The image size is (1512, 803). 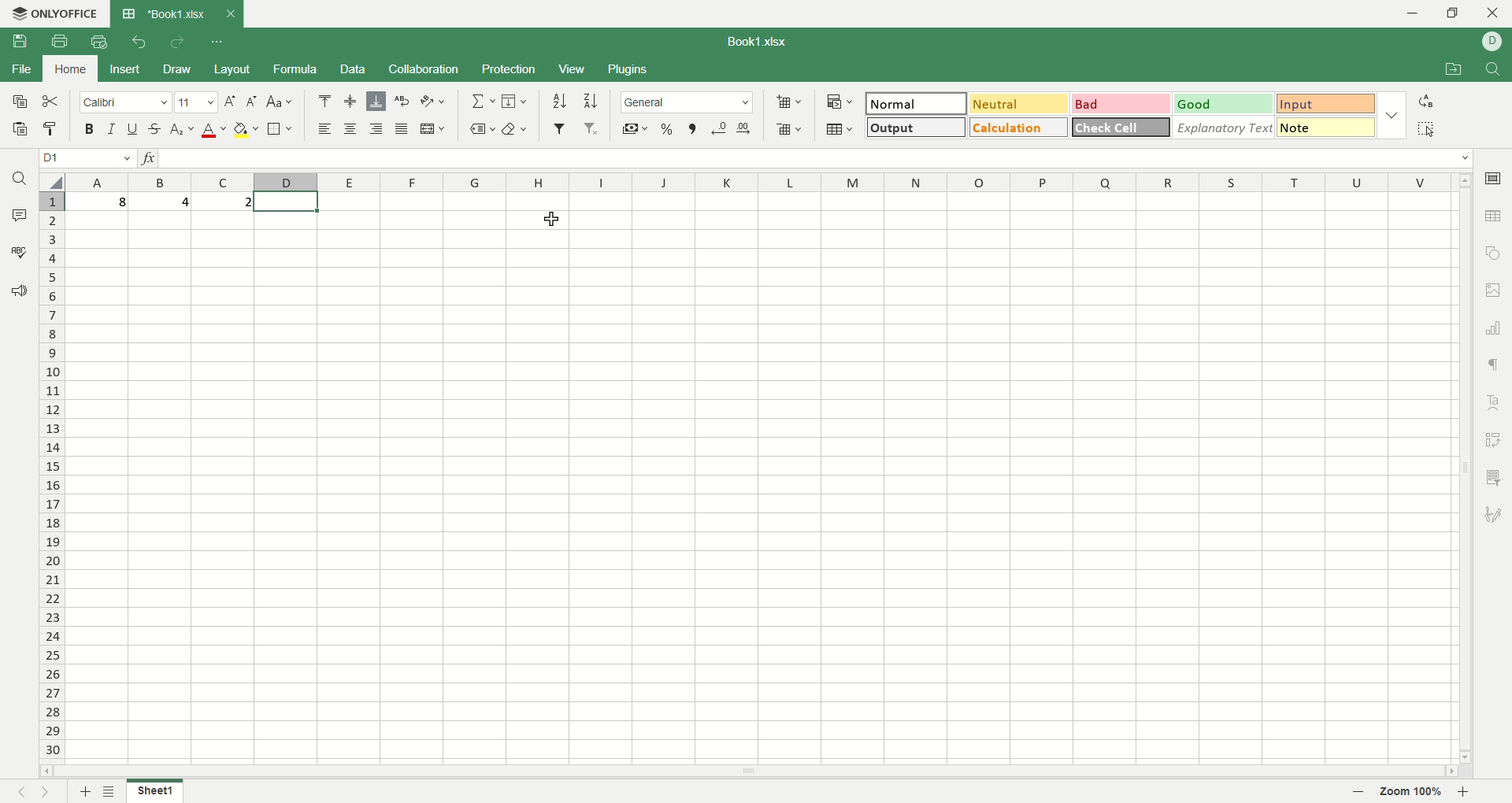 I want to click on active cell, so click(x=285, y=200).